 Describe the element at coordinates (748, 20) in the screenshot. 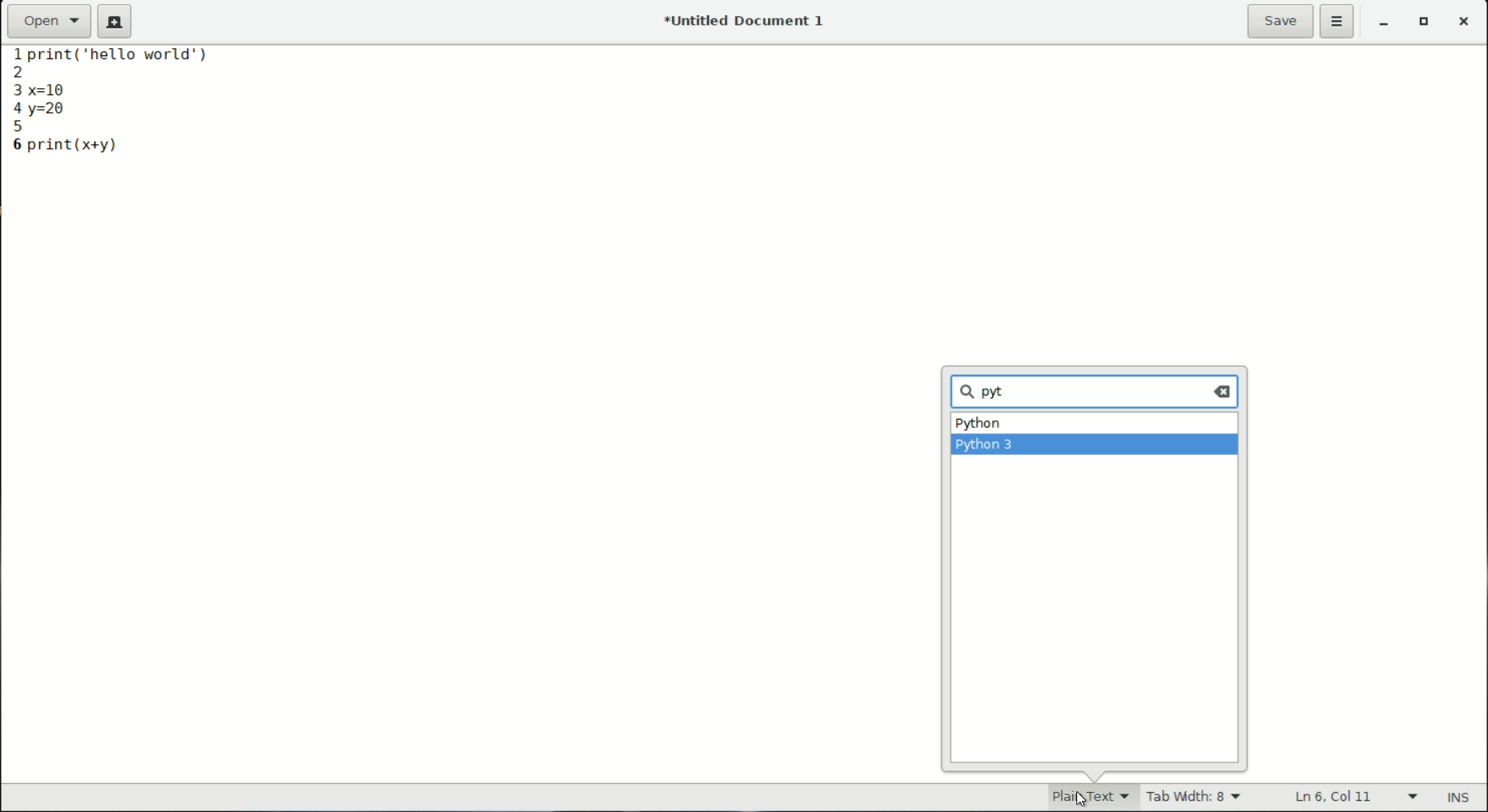

I see `file name` at that location.